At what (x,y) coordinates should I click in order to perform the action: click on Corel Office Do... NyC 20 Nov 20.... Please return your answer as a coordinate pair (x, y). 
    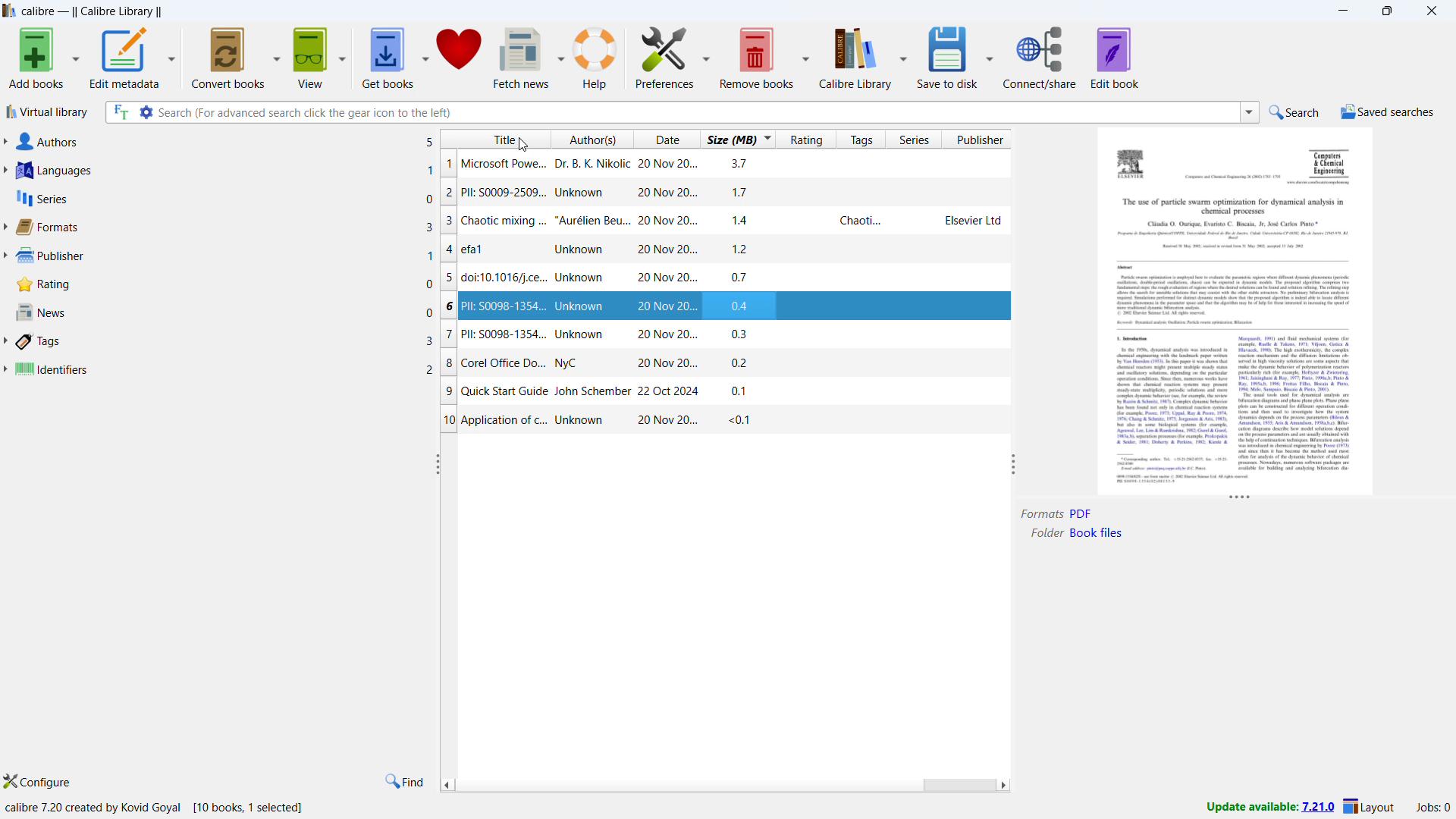
    Looking at the image, I should click on (582, 364).